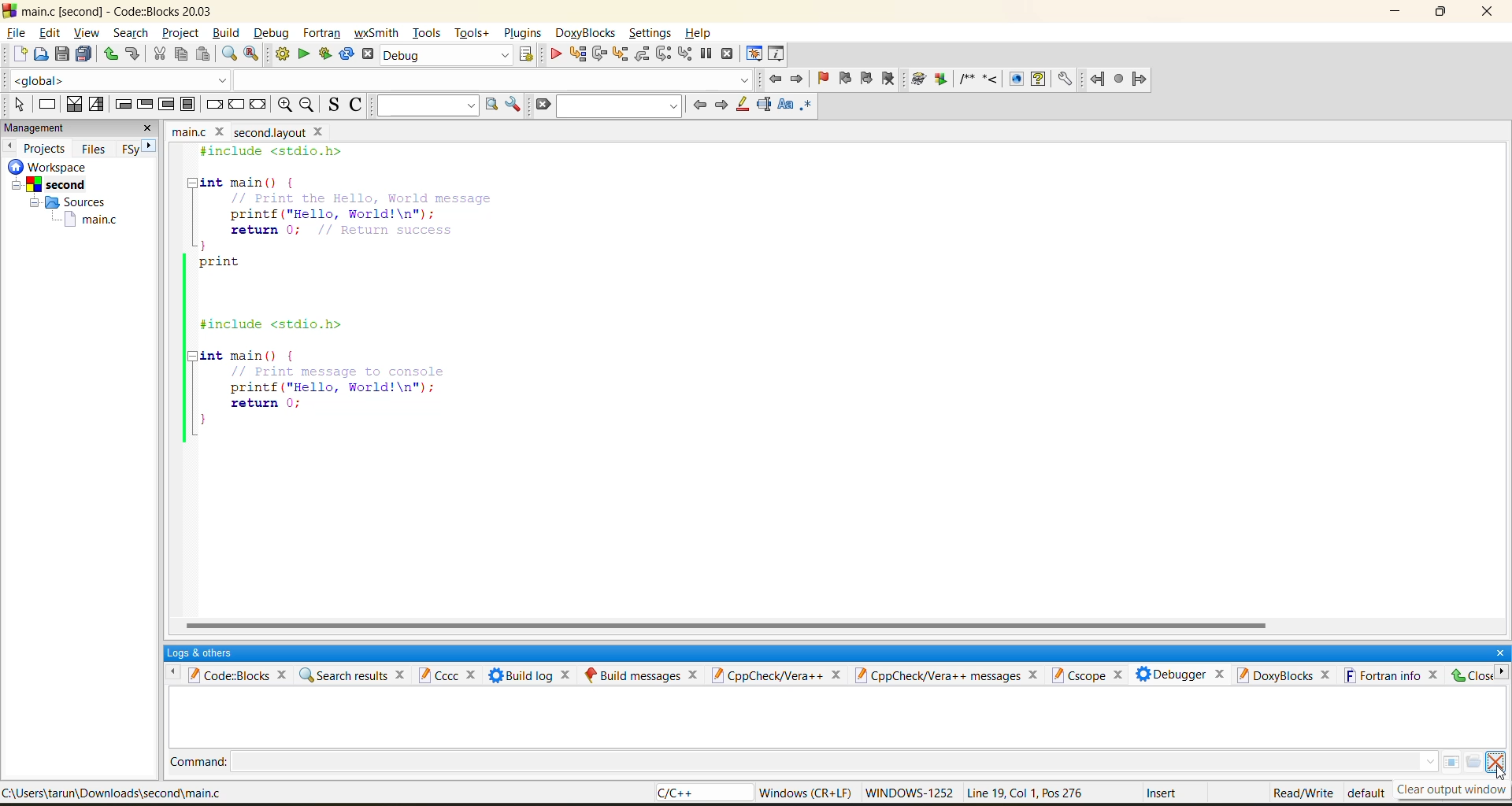  I want to click on next bookmark, so click(868, 79).